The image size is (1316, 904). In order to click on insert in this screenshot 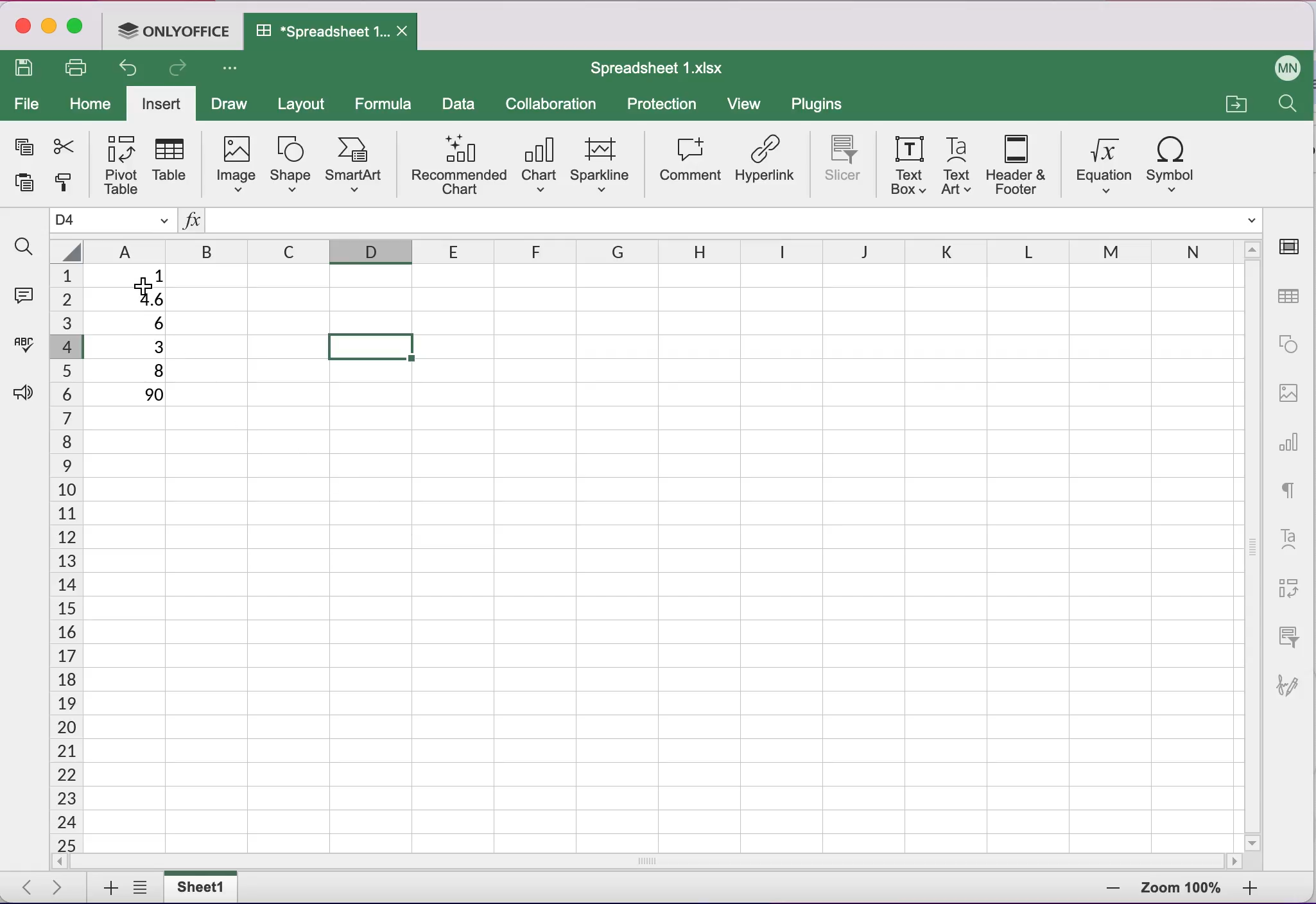, I will do `click(160, 103)`.